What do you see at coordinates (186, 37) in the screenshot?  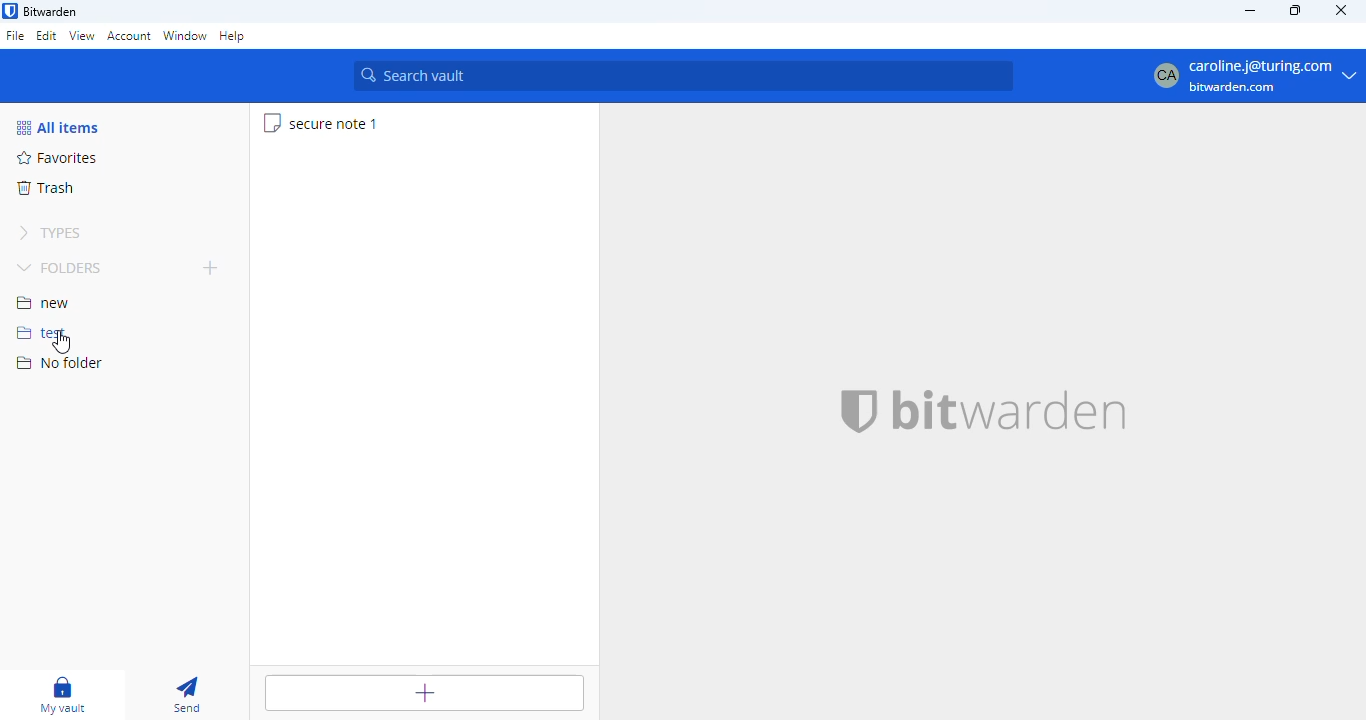 I see `window` at bounding box center [186, 37].